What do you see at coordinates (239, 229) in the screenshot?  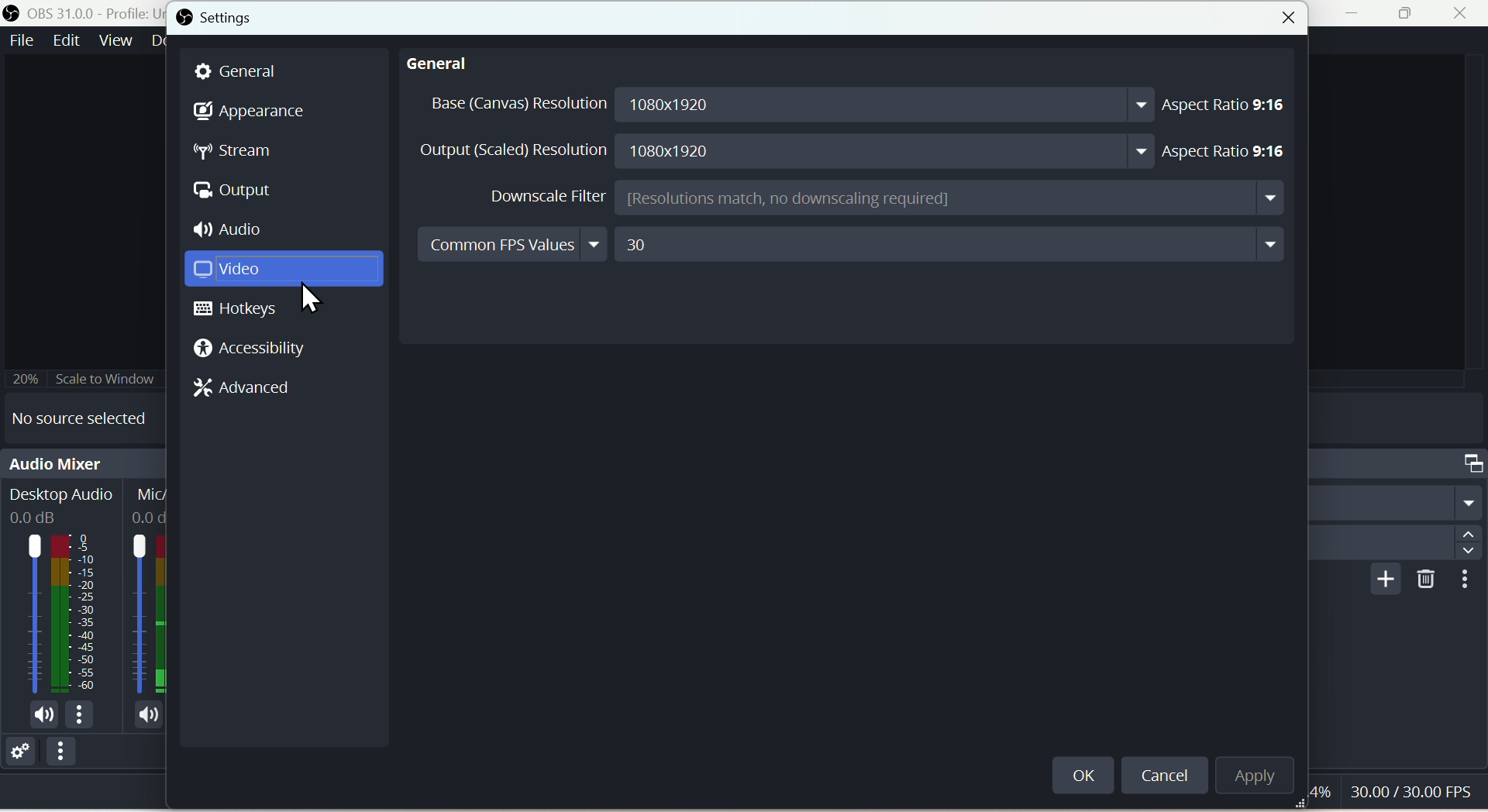 I see `Audio` at bounding box center [239, 229].